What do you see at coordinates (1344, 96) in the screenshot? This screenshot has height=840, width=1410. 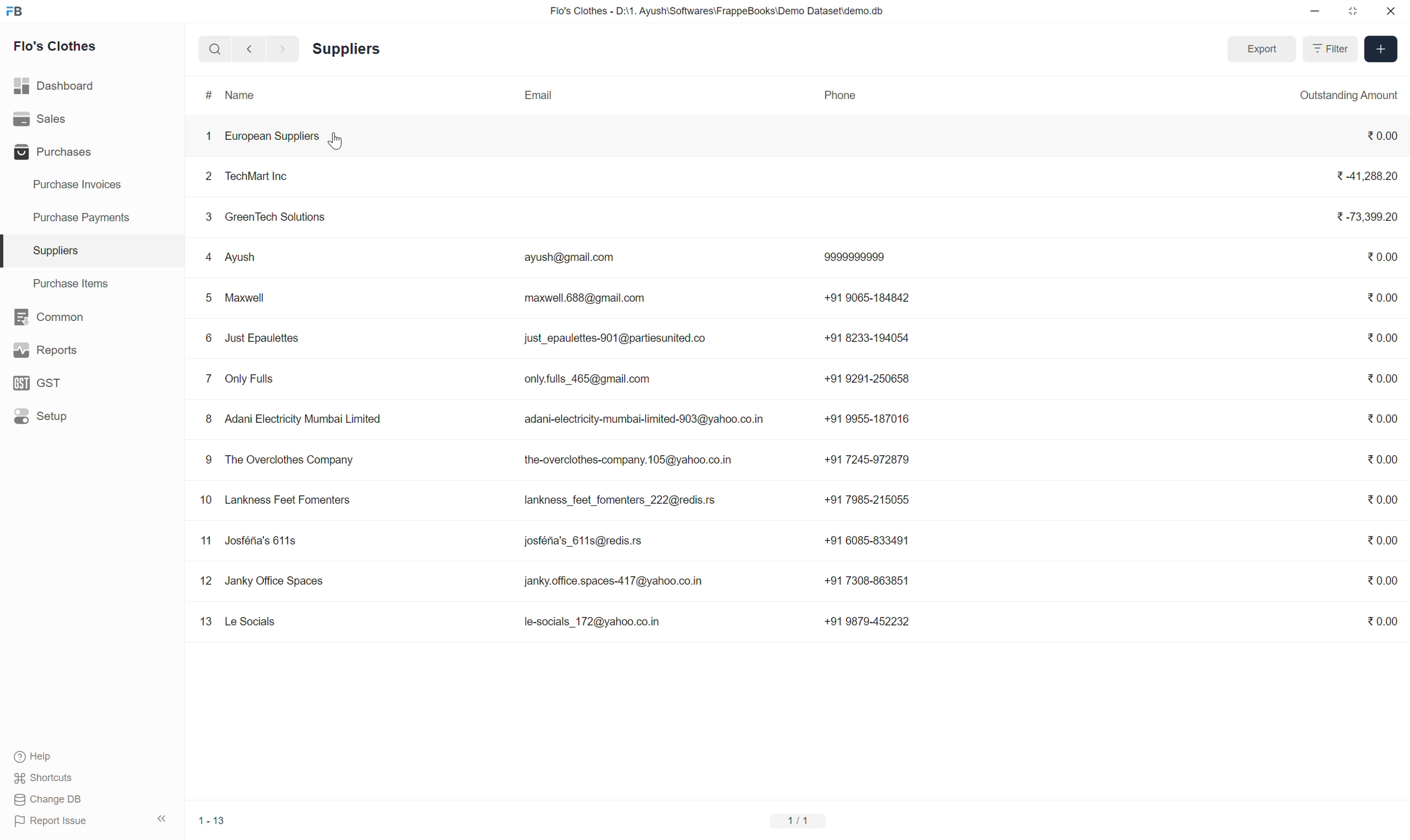 I see `Outstanding Amount` at bounding box center [1344, 96].